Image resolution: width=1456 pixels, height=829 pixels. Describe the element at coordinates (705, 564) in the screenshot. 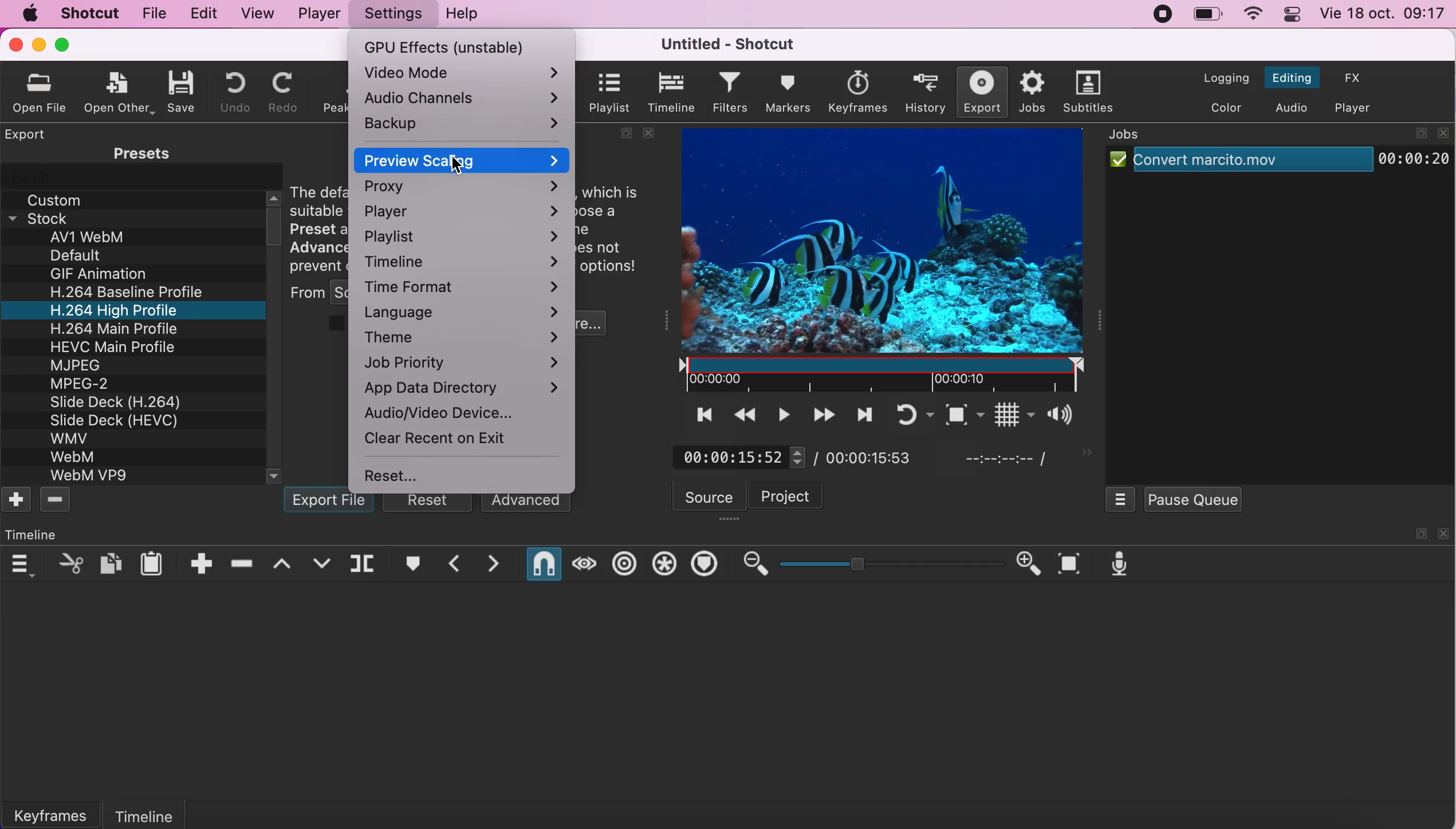

I see `ripple markers` at that location.